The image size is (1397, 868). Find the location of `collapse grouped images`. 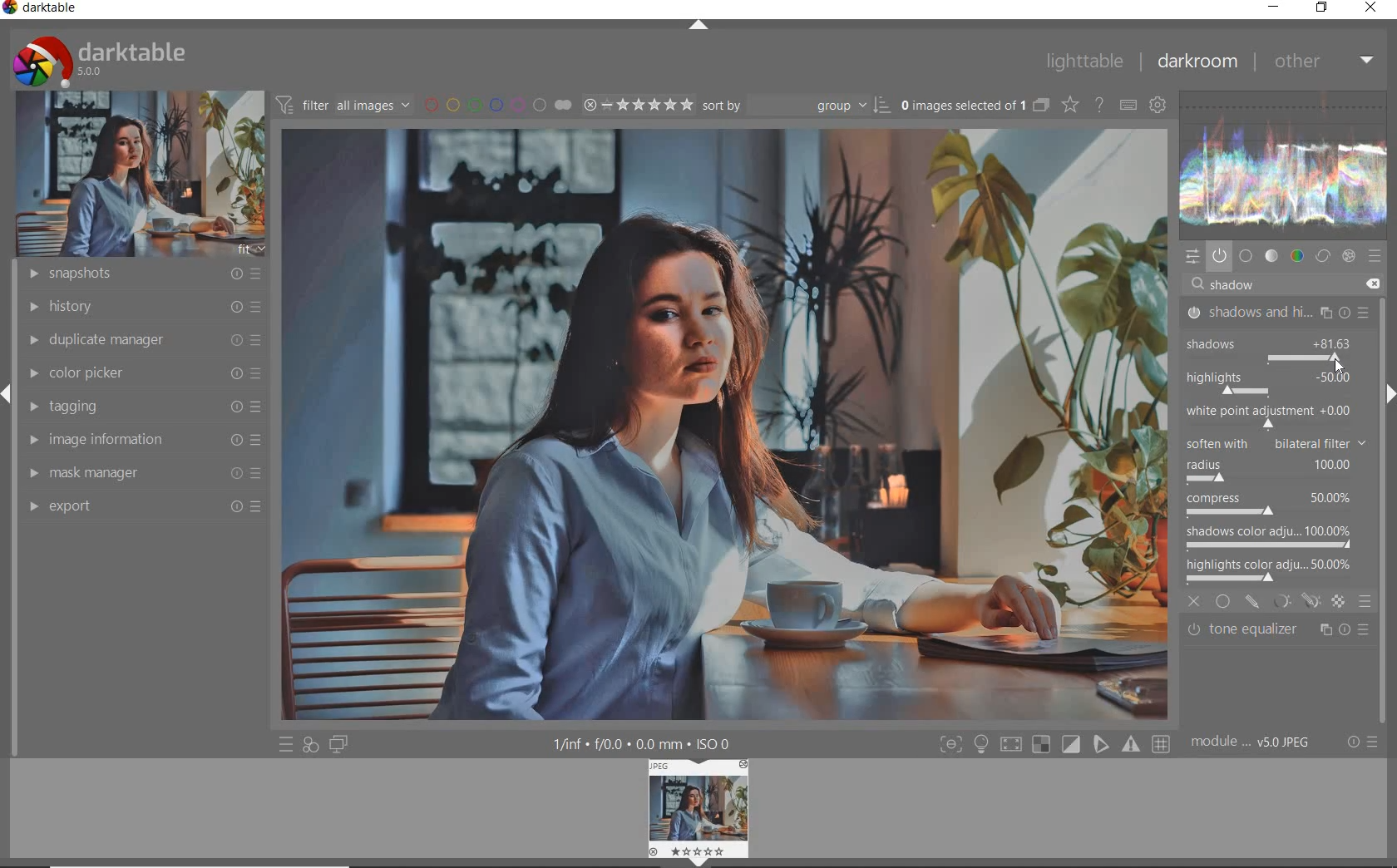

collapse grouped images is located at coordinates (1039, 106).